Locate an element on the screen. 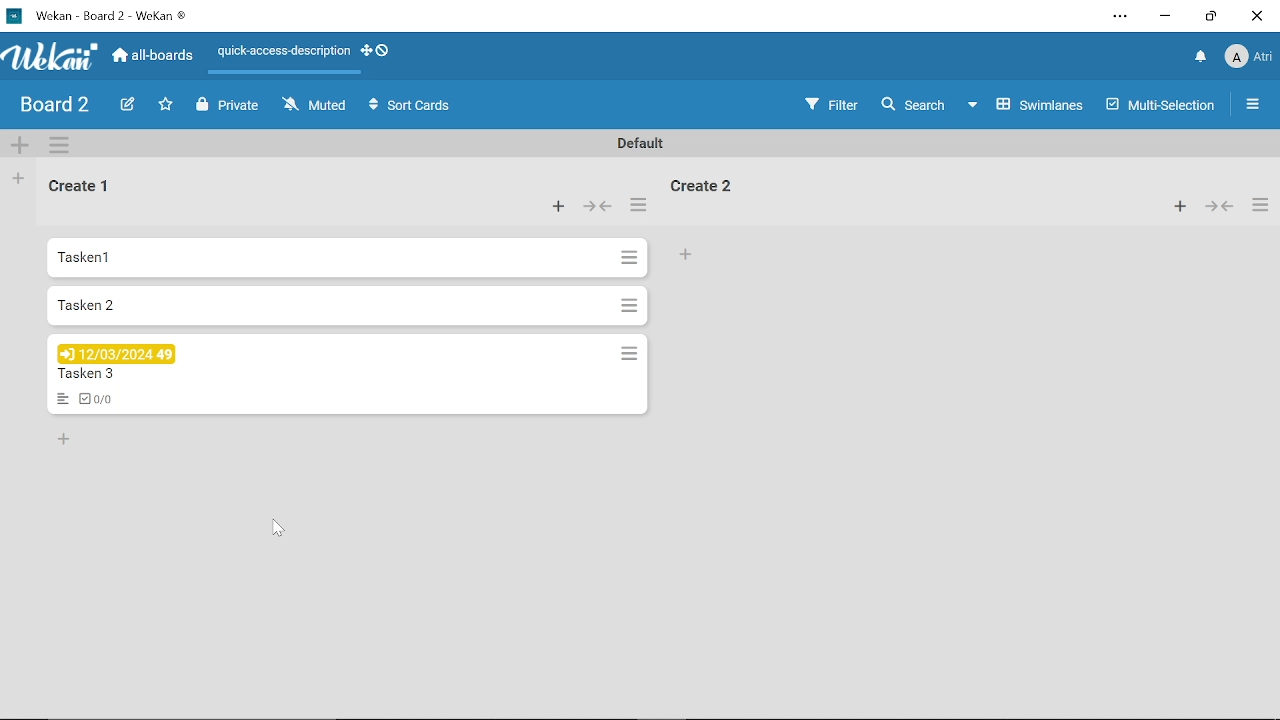 This screenshot has width=1280, height=720. Edit is located at coordinates (127, 103).